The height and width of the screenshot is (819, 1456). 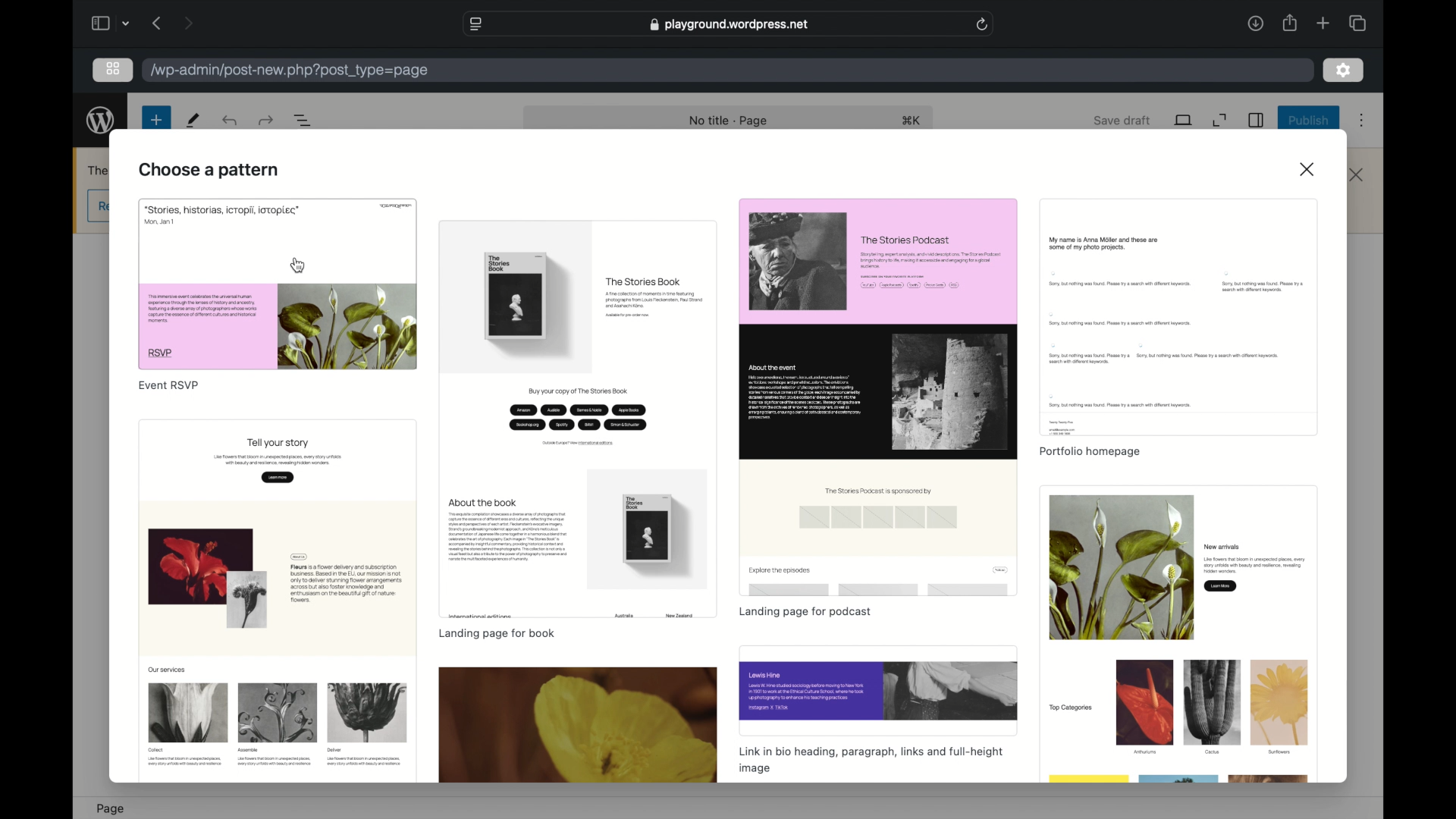 I want to click on preview, so click(x=579, y=726).